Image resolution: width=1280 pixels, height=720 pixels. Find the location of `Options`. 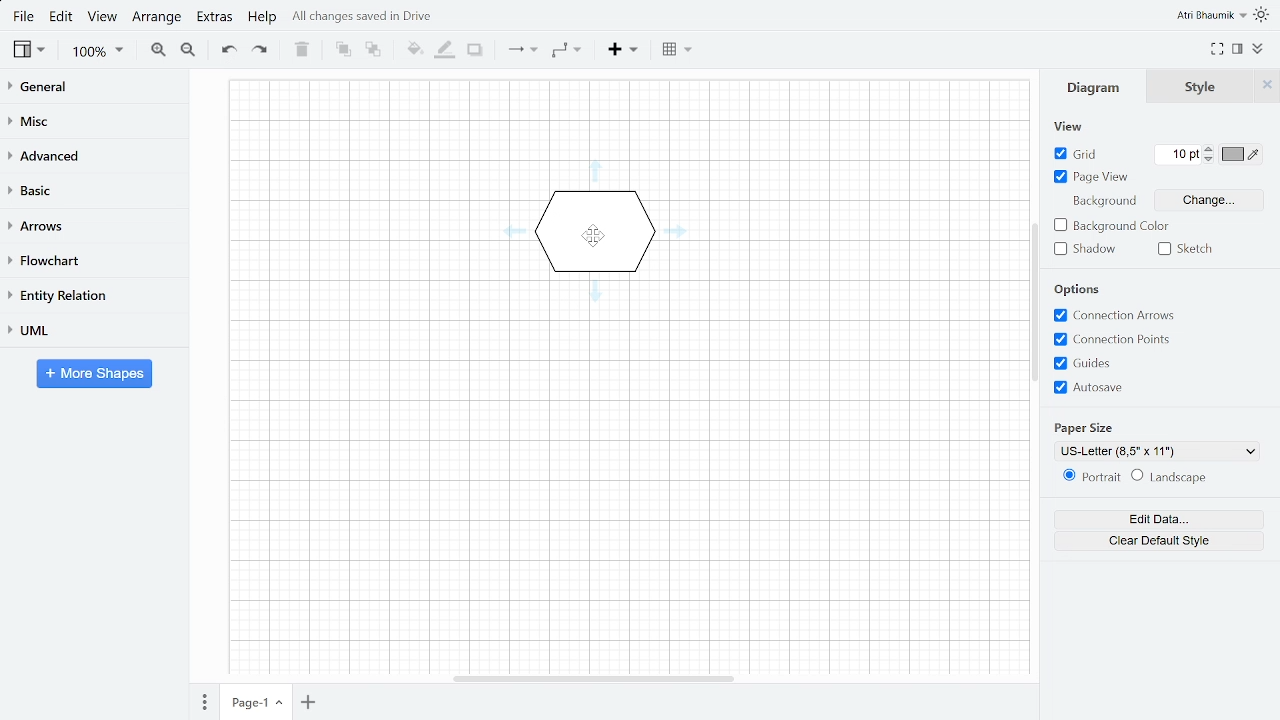

Options is located at coordinates (1079, 289).